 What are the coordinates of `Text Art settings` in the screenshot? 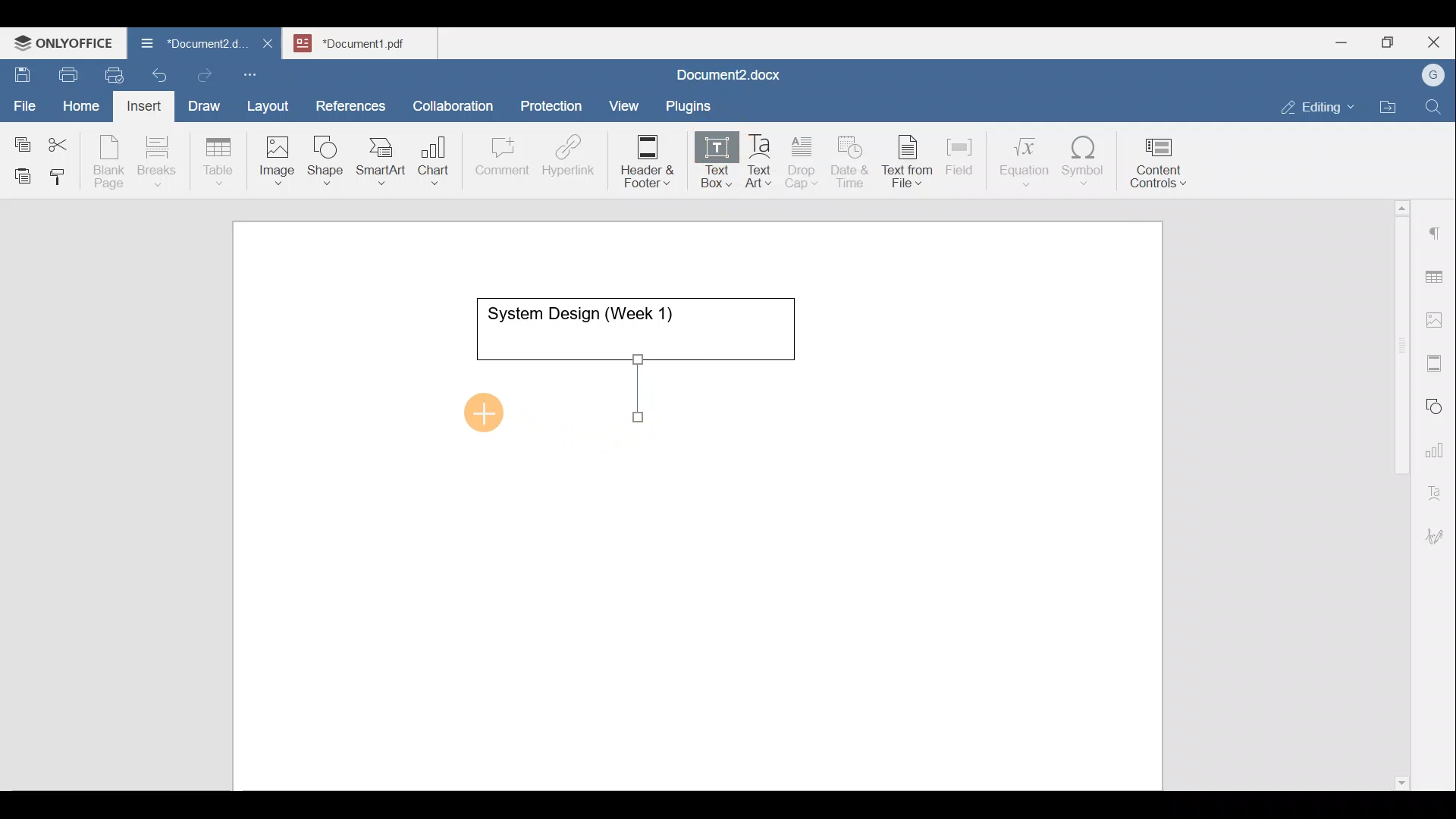 It's located at (1436, 487).